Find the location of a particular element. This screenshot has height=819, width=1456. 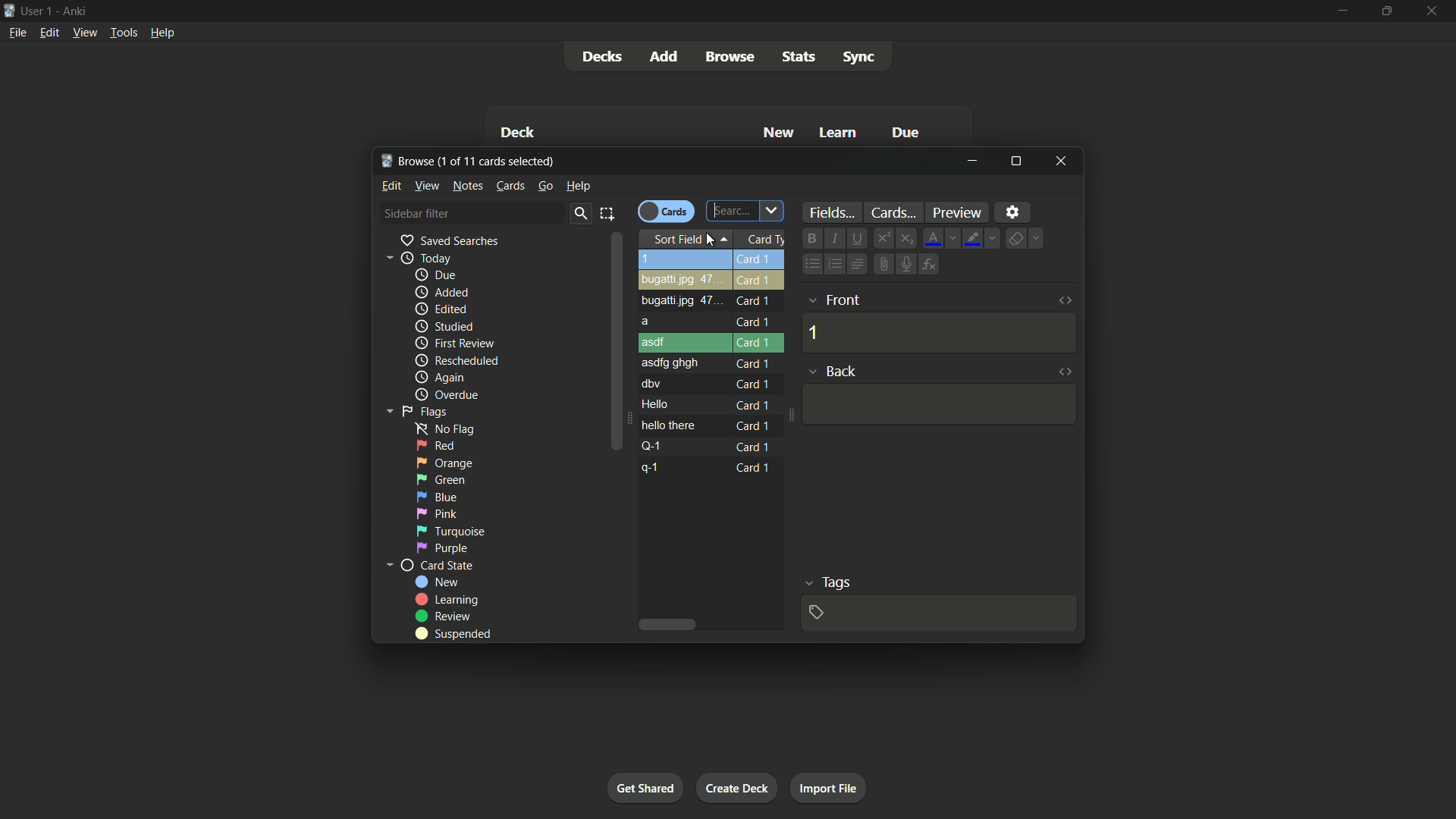

settings is located at coordinates (1012, 212).